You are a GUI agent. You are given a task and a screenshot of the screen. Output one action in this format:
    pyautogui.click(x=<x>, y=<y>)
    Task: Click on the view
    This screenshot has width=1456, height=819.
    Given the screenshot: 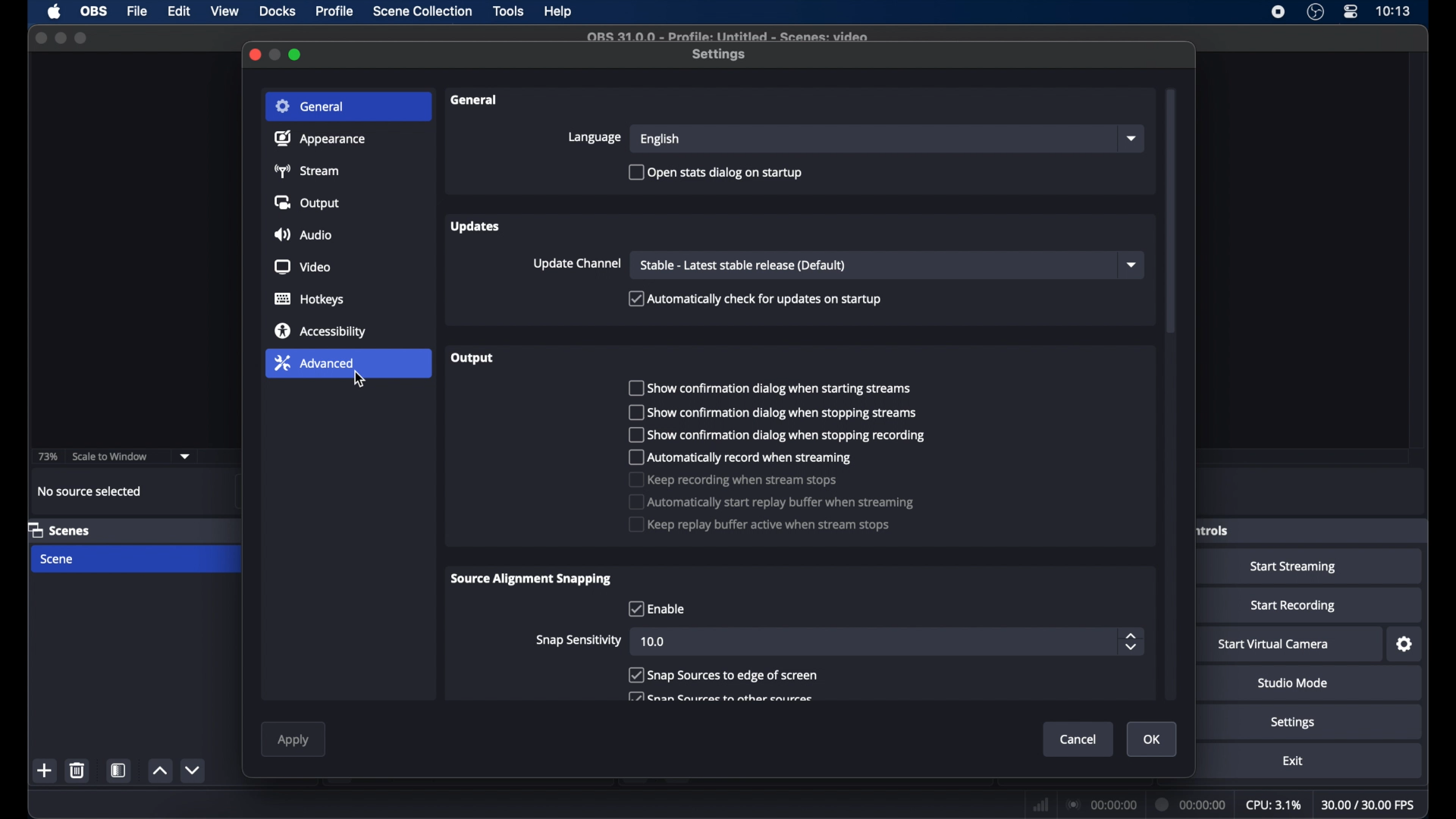 What is the action you would take?
    pyautogui.click(x=226, y=11)
    